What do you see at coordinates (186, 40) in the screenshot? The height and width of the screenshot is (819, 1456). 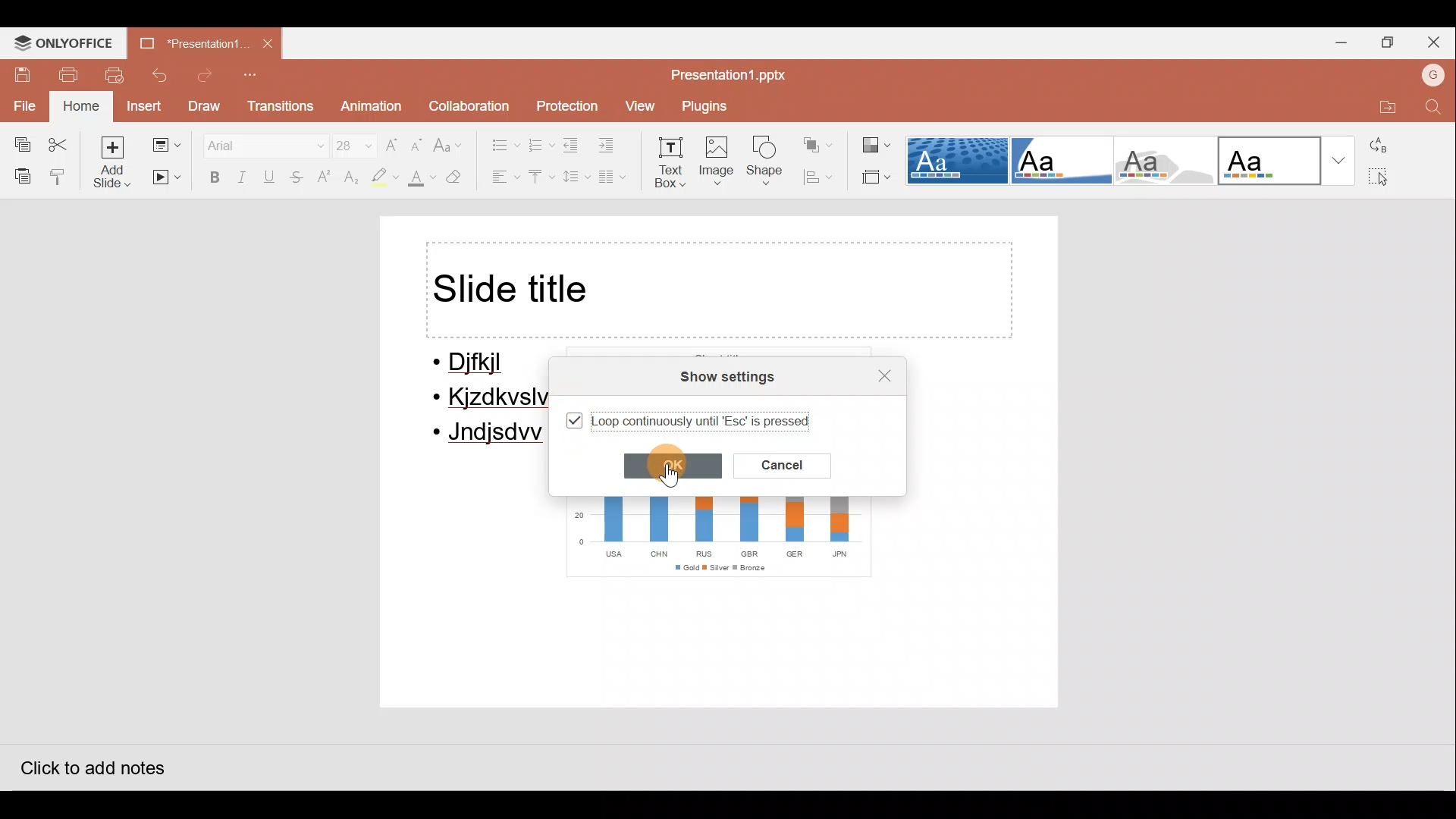 I see `Document name` at bounding box center [186, 40].